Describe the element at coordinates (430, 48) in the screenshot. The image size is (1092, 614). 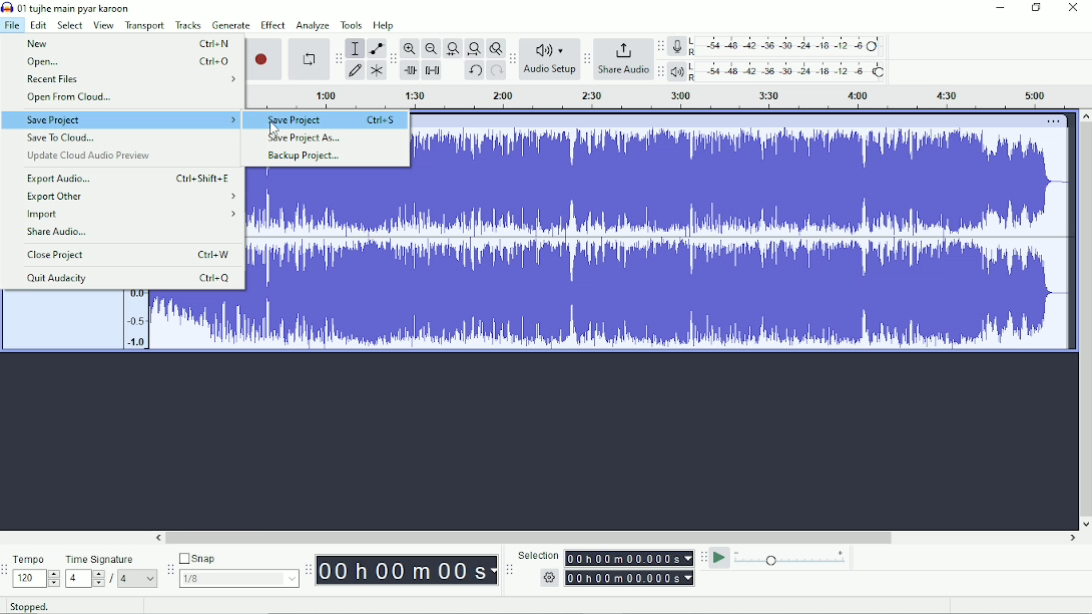
I see `Zoom Out` at that location.